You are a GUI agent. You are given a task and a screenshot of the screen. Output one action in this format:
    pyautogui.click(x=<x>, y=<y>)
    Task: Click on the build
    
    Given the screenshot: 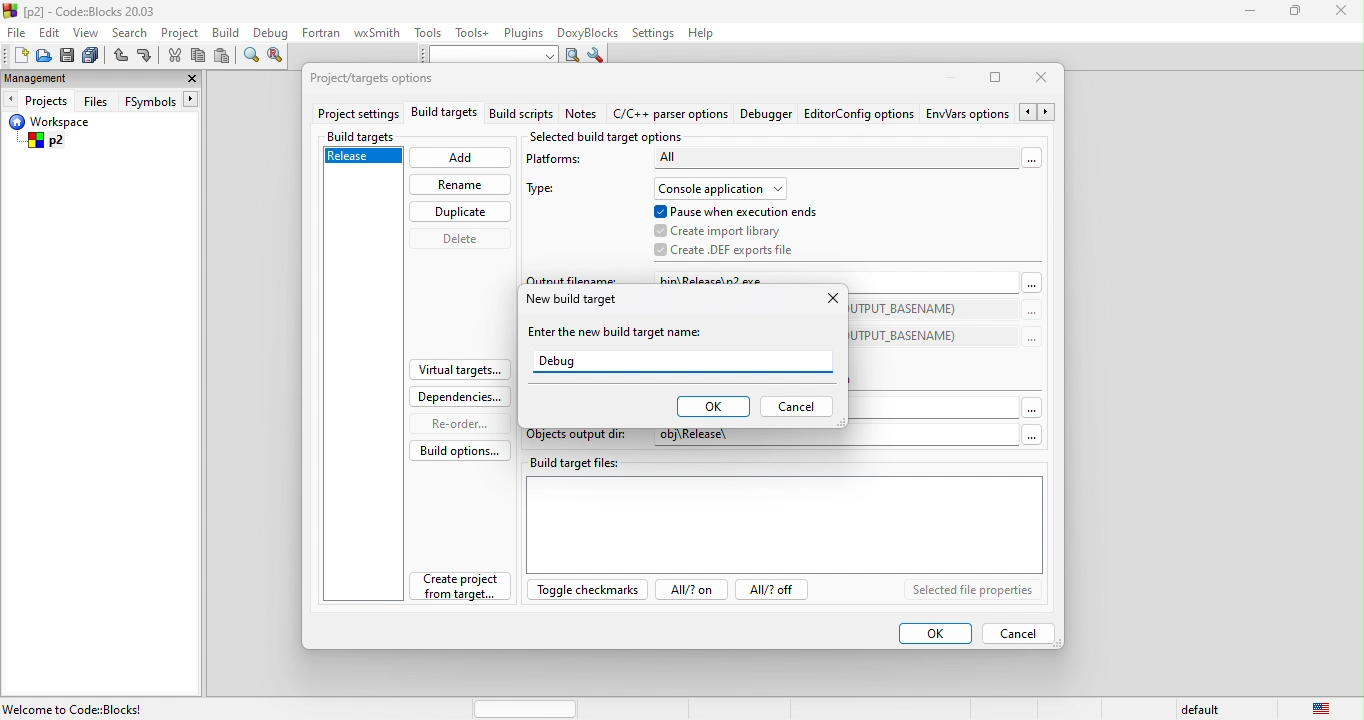 What is the action you would take?
    pyautogui.click(x=231, y=34)
    